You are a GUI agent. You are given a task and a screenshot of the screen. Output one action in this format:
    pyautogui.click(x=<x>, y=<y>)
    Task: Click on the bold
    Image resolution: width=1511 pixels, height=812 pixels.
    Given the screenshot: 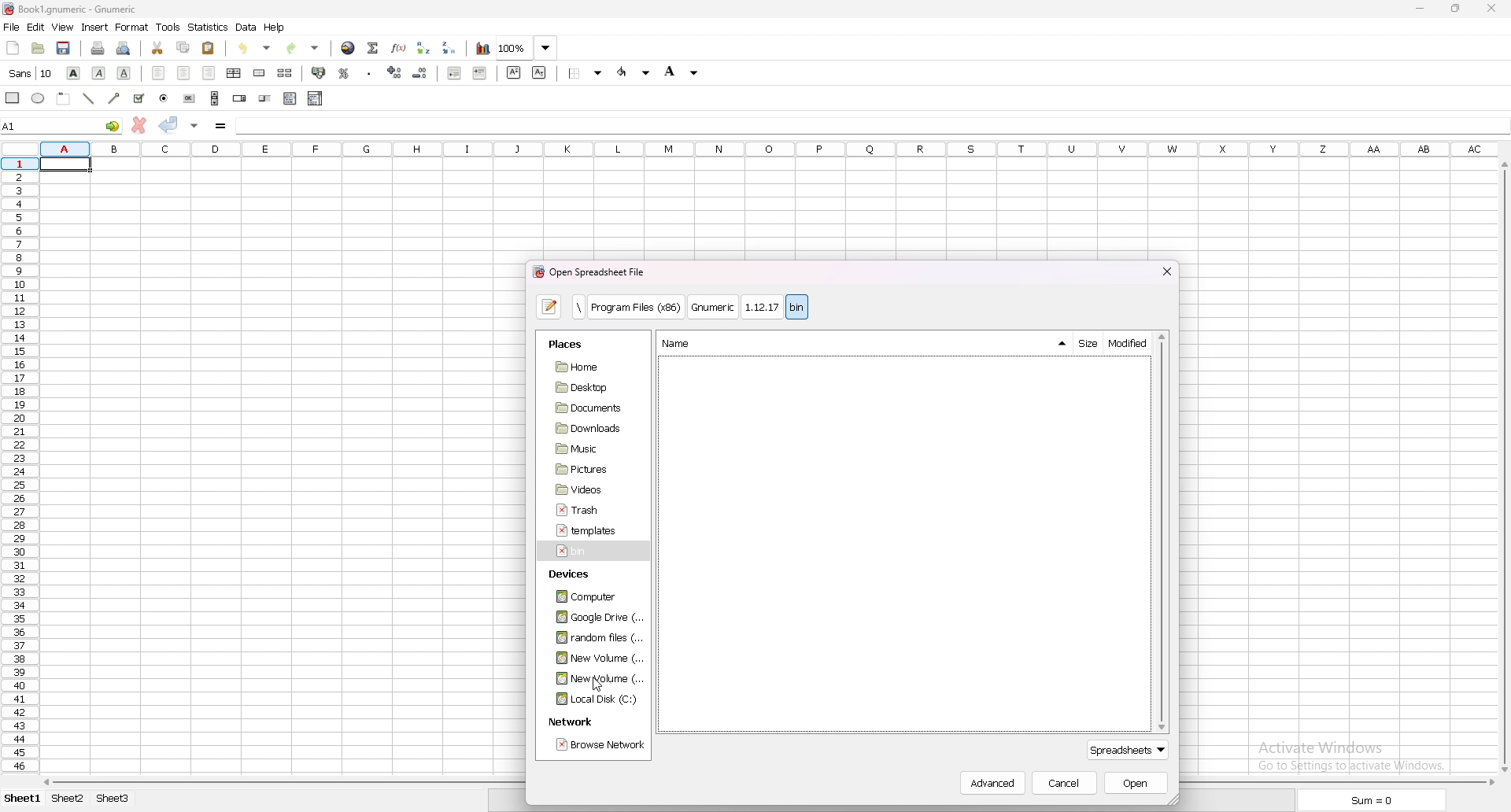 What is the action you would take?
    pyautogui.click(x=74, y=74)
    